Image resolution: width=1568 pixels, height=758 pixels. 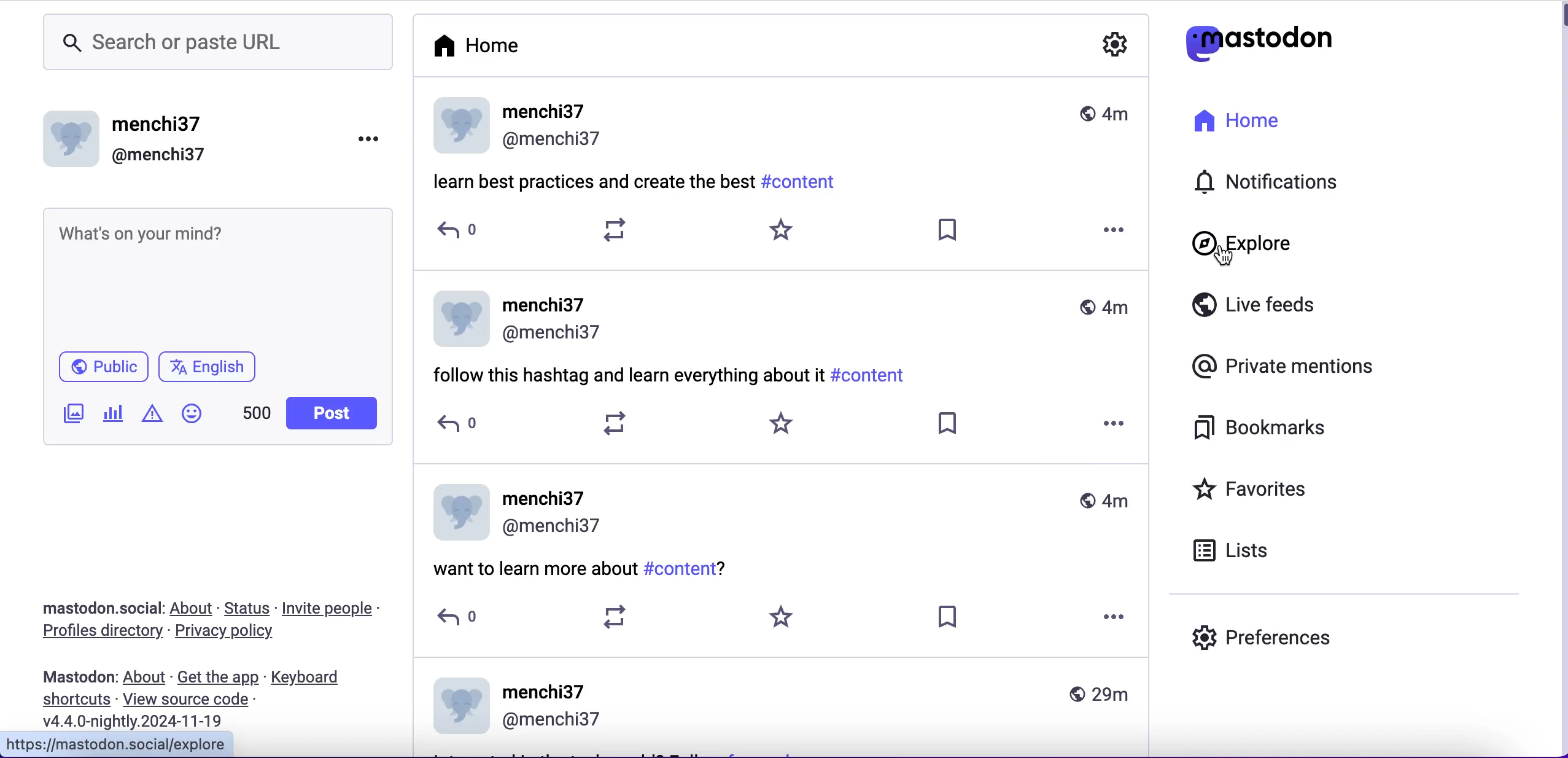 What do you see at coordinates (100, 633) in the screenshot?
I see `profiles directory` at bounding box center [100, 633].